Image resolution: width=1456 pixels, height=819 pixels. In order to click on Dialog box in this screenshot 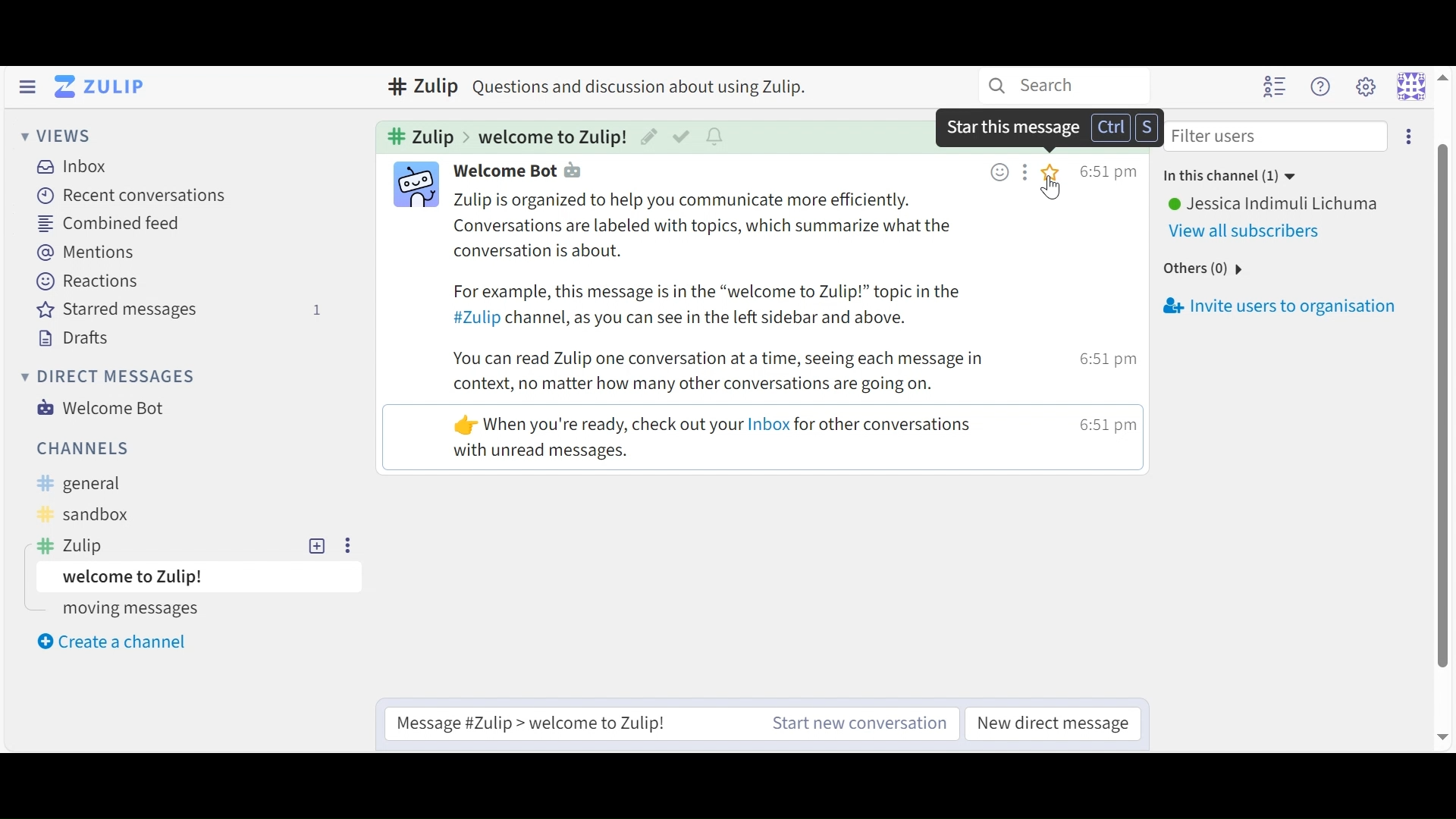, I will do `click(1048, 127)`.